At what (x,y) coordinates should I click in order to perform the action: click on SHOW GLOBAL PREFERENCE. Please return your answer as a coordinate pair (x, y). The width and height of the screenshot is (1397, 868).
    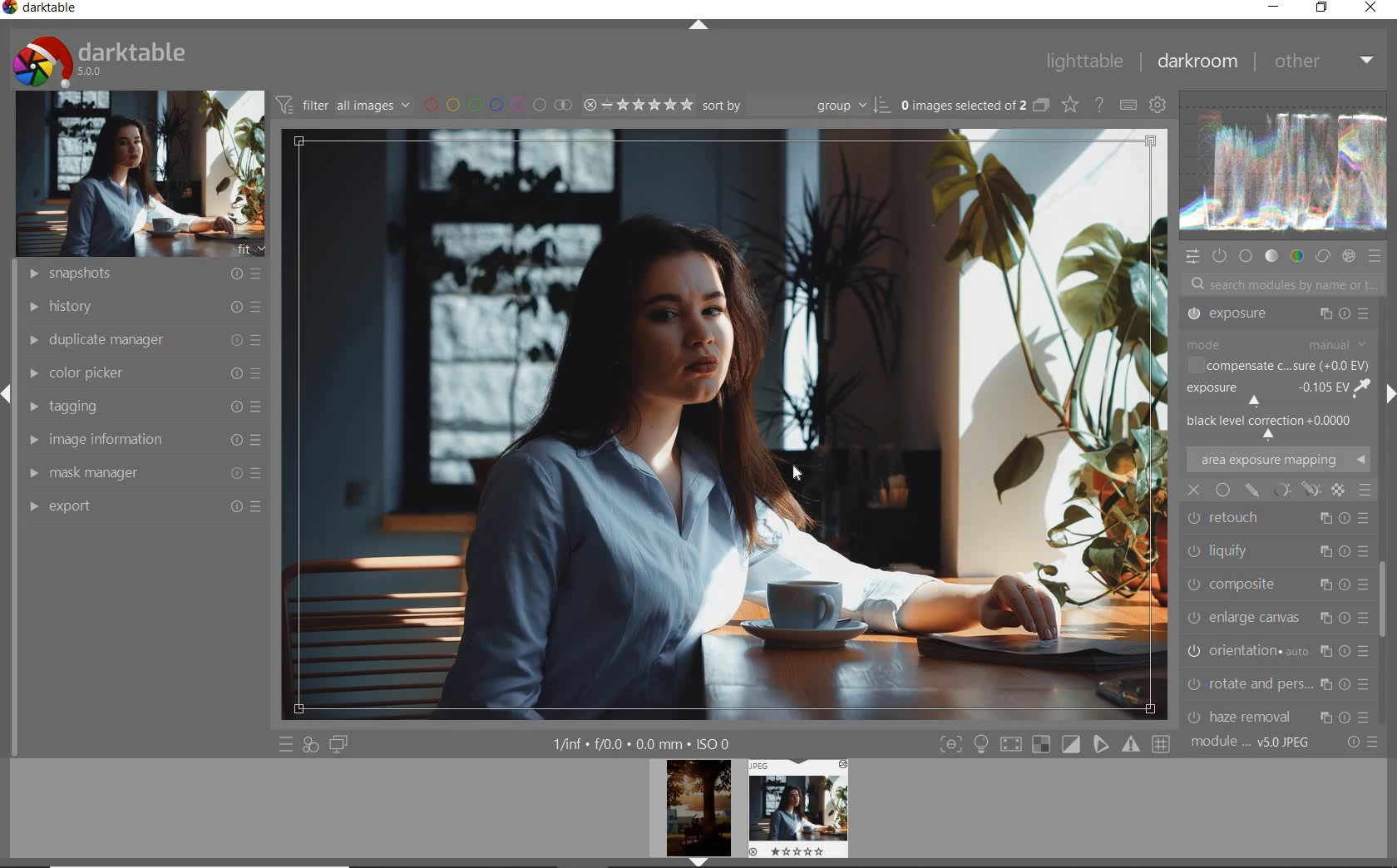
    Looking at the image, I should click on (1159, 105).